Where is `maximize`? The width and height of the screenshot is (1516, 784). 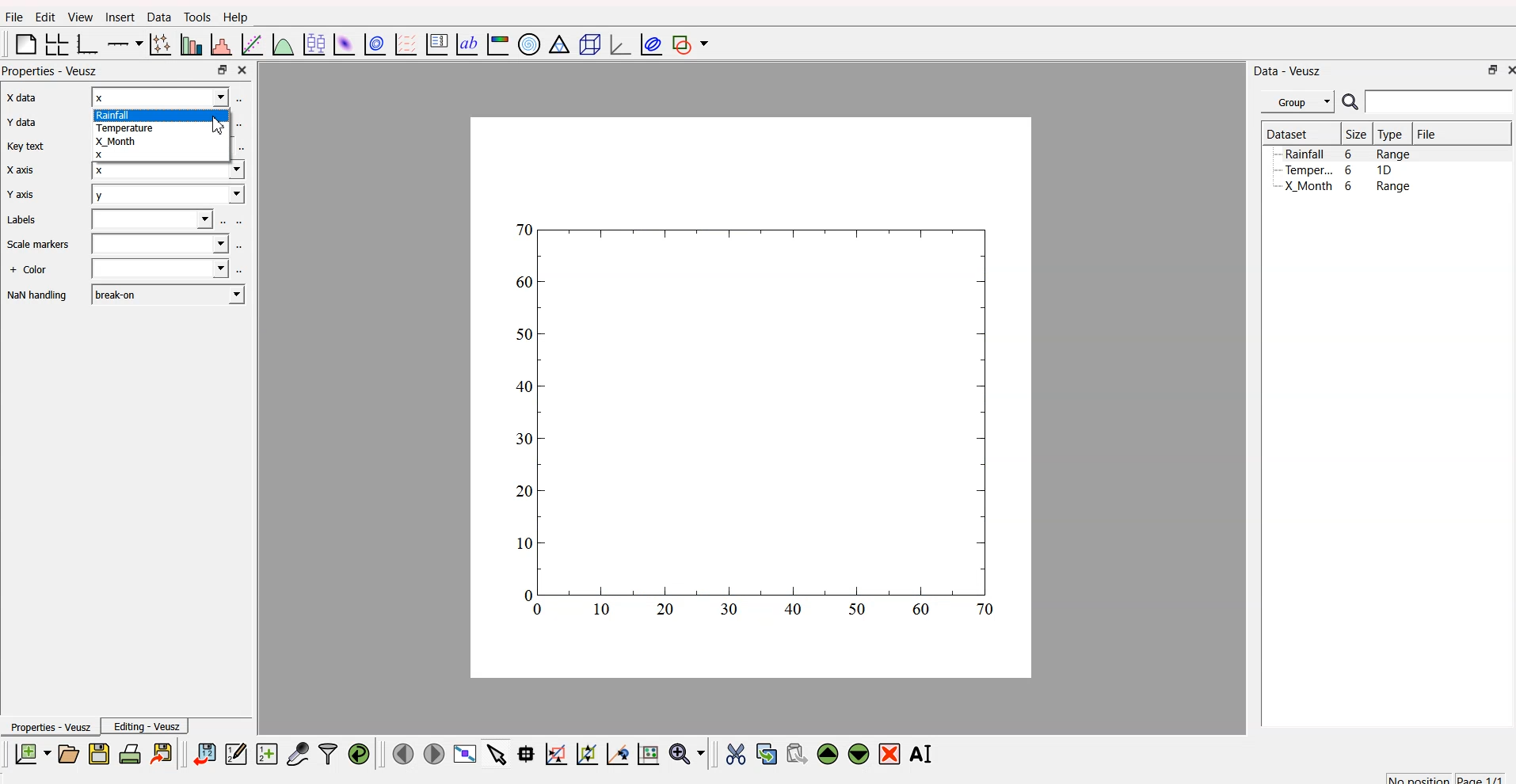
maximize is located at coordinates (221, 70).